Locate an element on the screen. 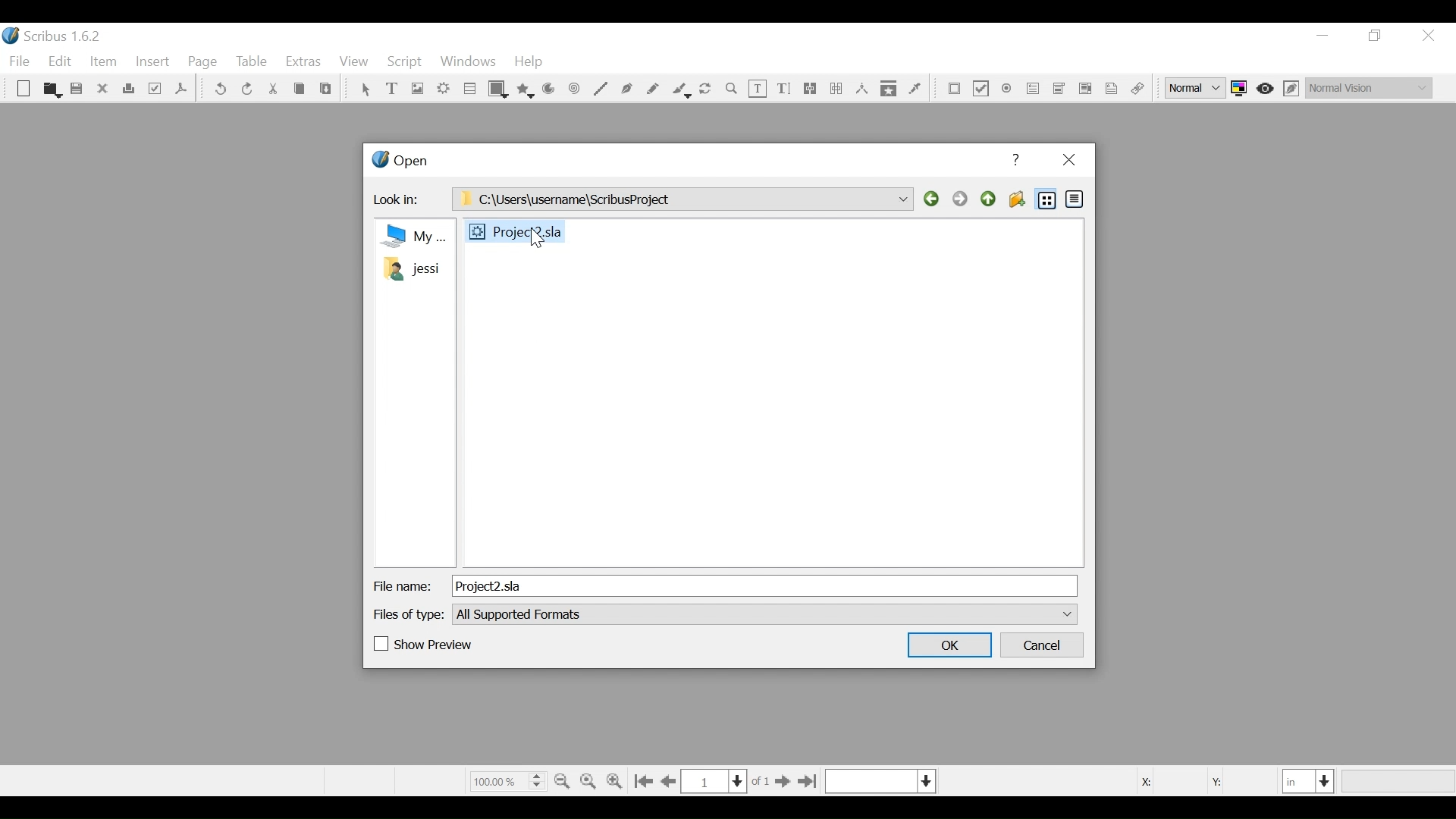 The image size is (1456, 819). Unlink Text frame is located at coordinates (836, 89).